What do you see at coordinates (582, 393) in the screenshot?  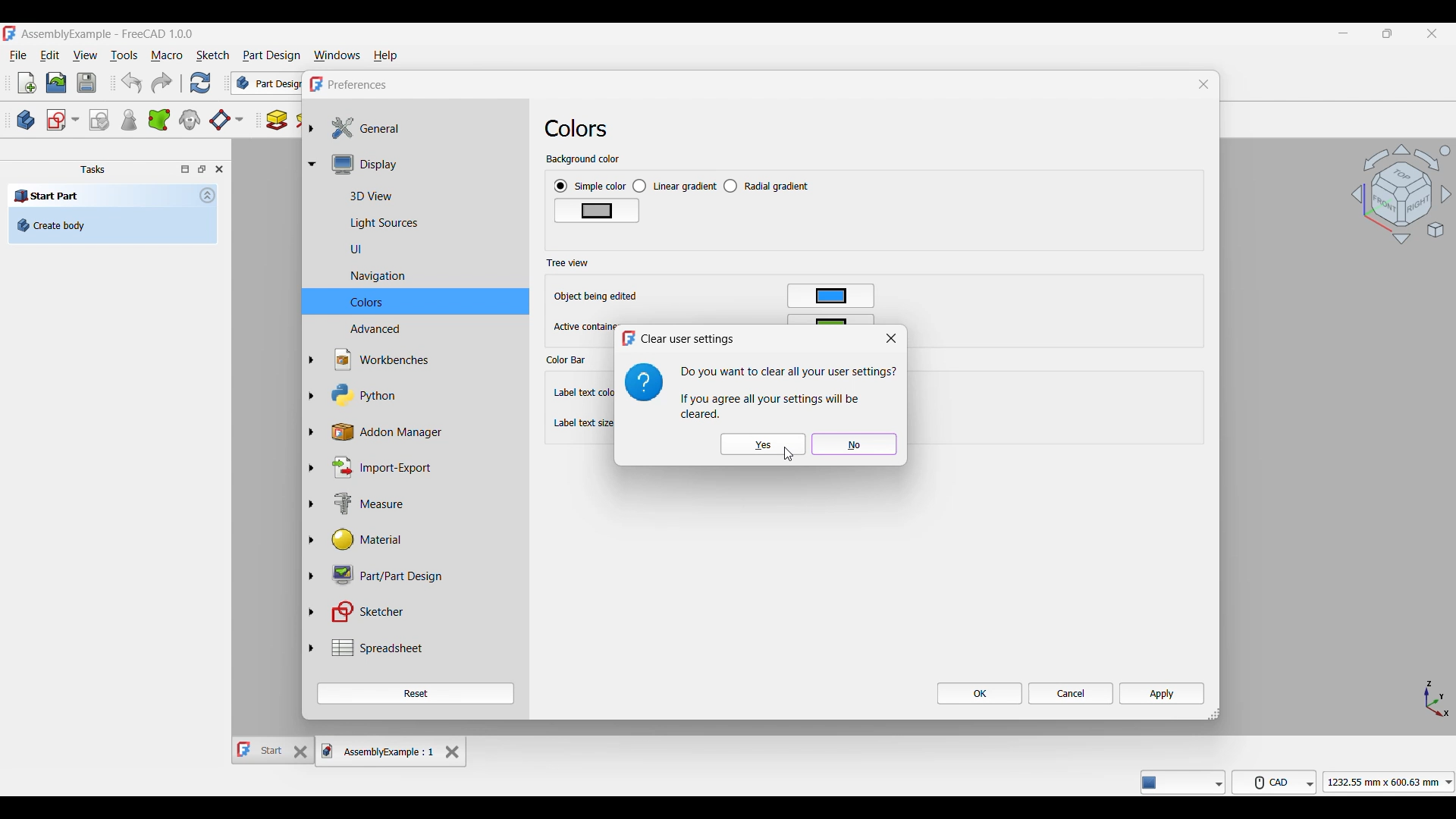 I see `Label text color` at bounding box center [582, 393].